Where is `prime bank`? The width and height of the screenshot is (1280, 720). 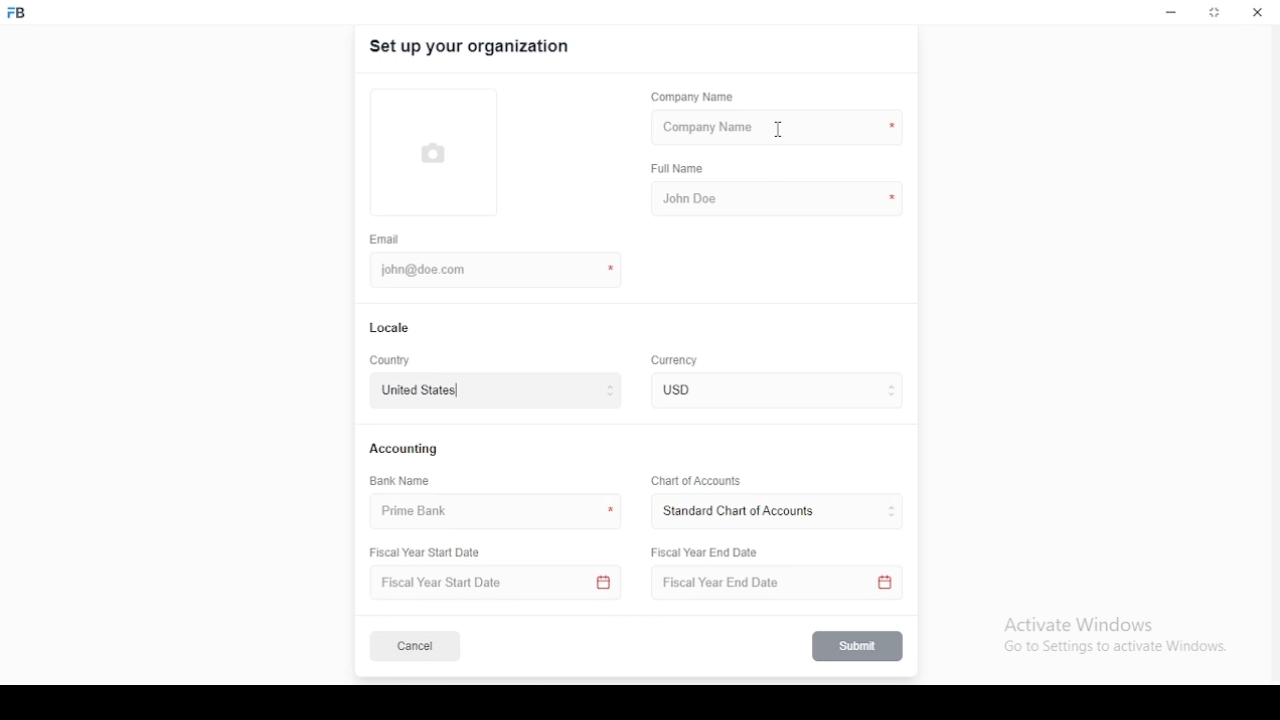
prime bank is located at coordinates (423, 512).